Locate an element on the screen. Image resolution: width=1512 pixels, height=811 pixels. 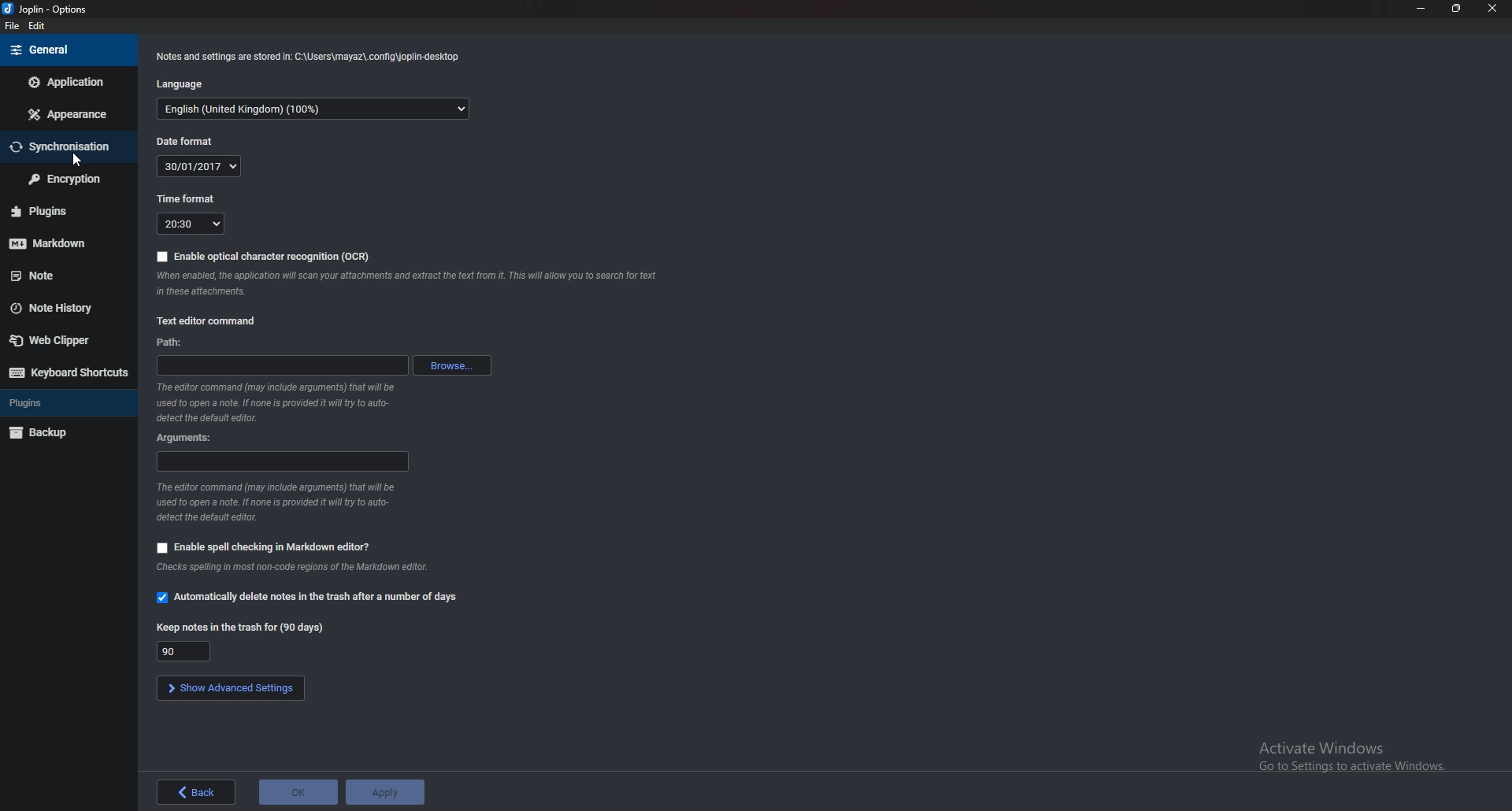
path is located at coordinates (171, 342).